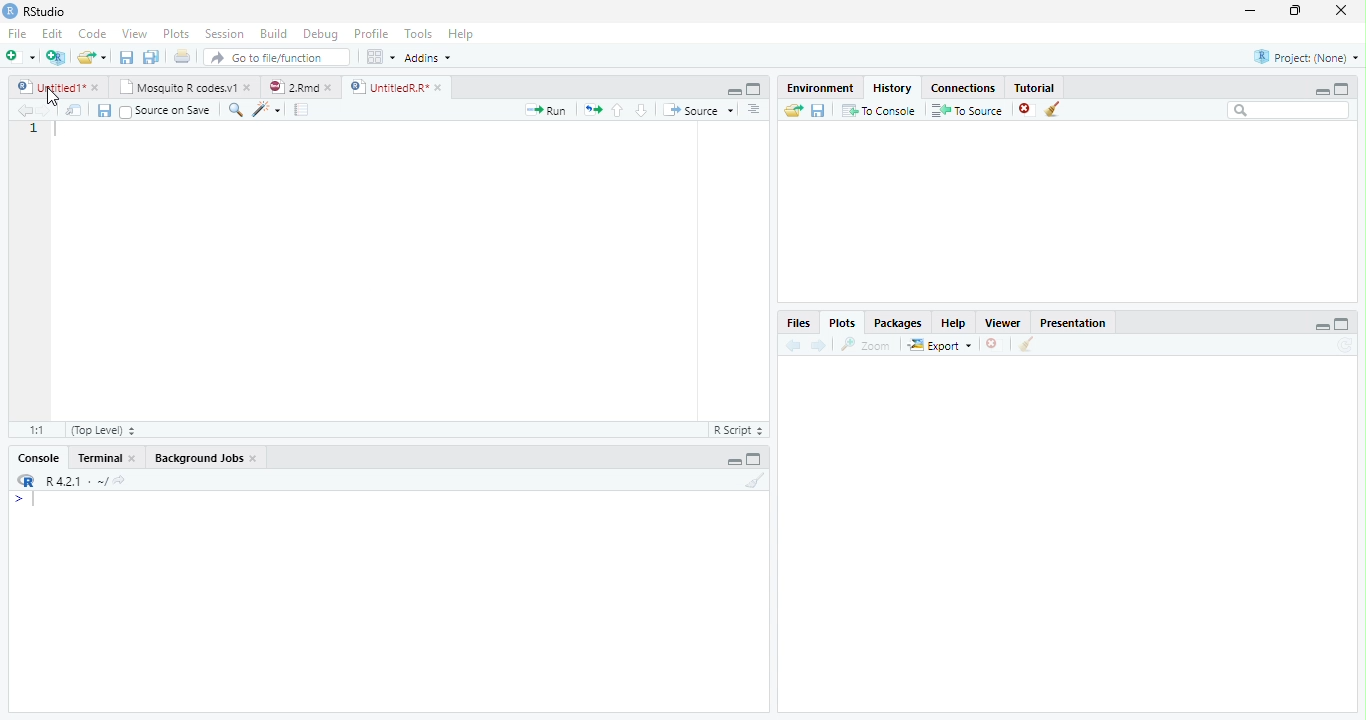 This screenshot has height=720, width=1366. What do you see at coordinates (75, 111) in the screenshot?
I see `show in window` at bounding box center [75, 111].